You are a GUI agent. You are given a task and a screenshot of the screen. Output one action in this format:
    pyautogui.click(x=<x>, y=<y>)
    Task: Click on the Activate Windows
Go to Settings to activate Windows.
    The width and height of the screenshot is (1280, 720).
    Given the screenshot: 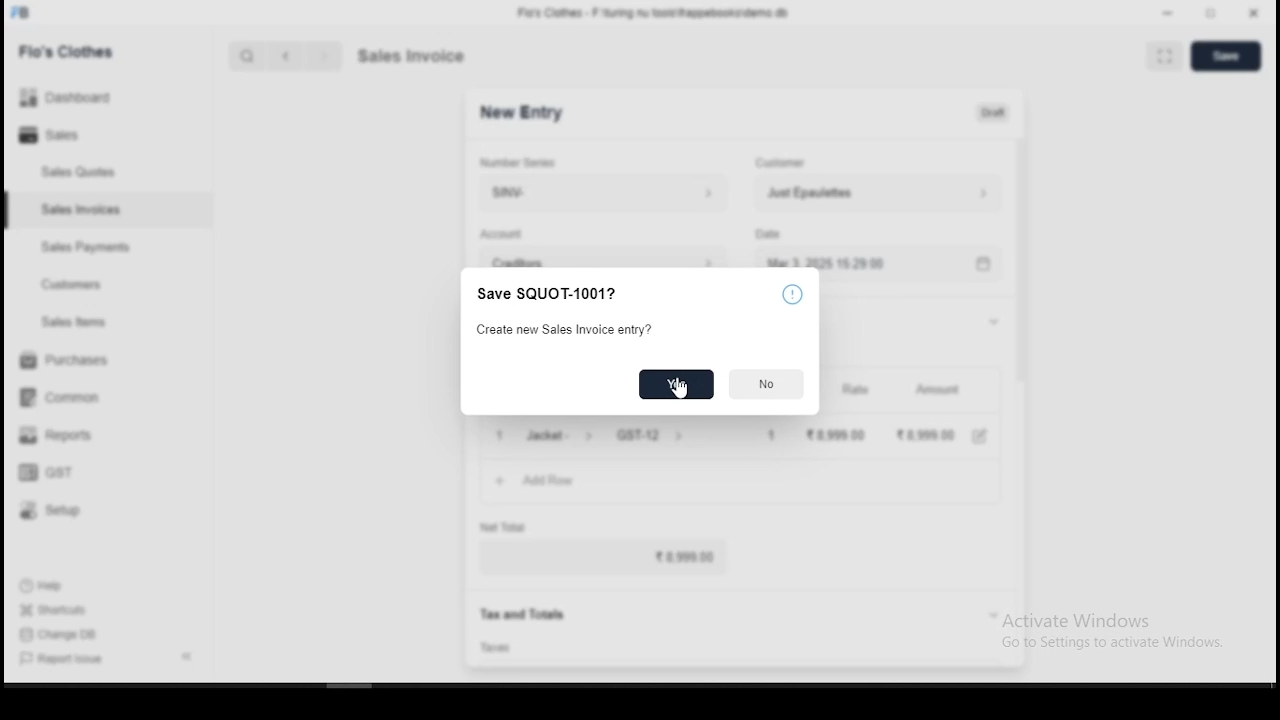 What is the action you would take?
    pyautogui.click(x=1125, y=627)
    